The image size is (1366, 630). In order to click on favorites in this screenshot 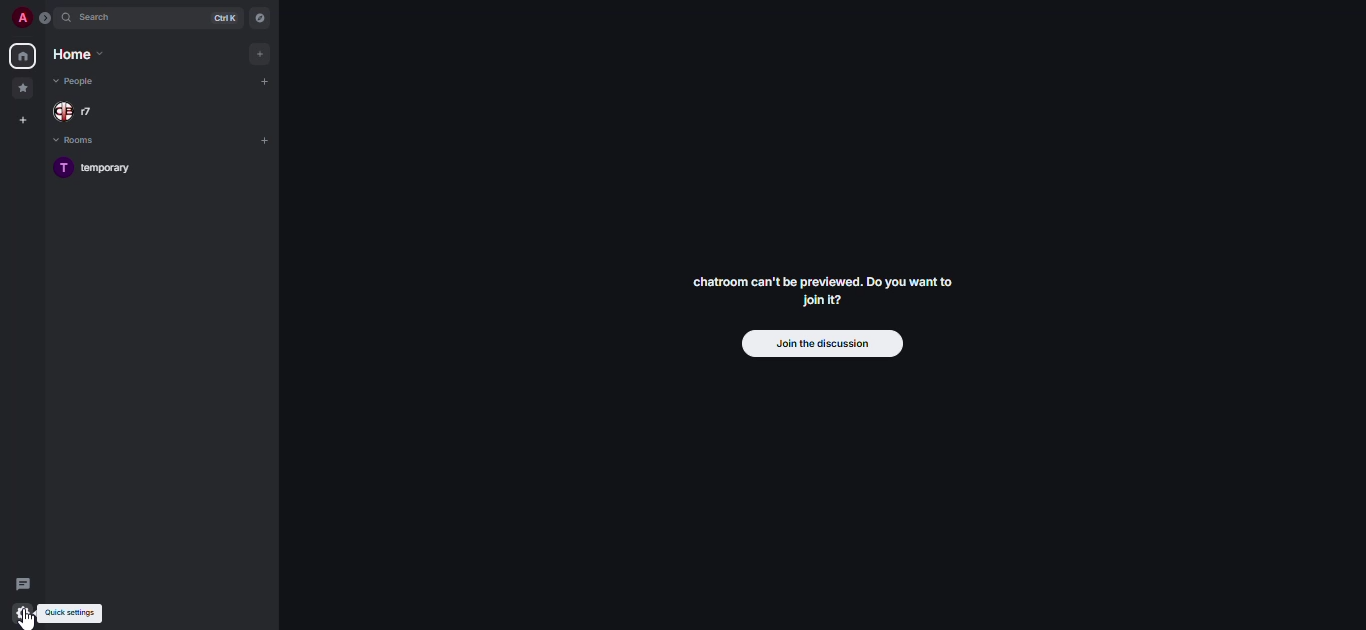, I will do `click(23, 87)`.